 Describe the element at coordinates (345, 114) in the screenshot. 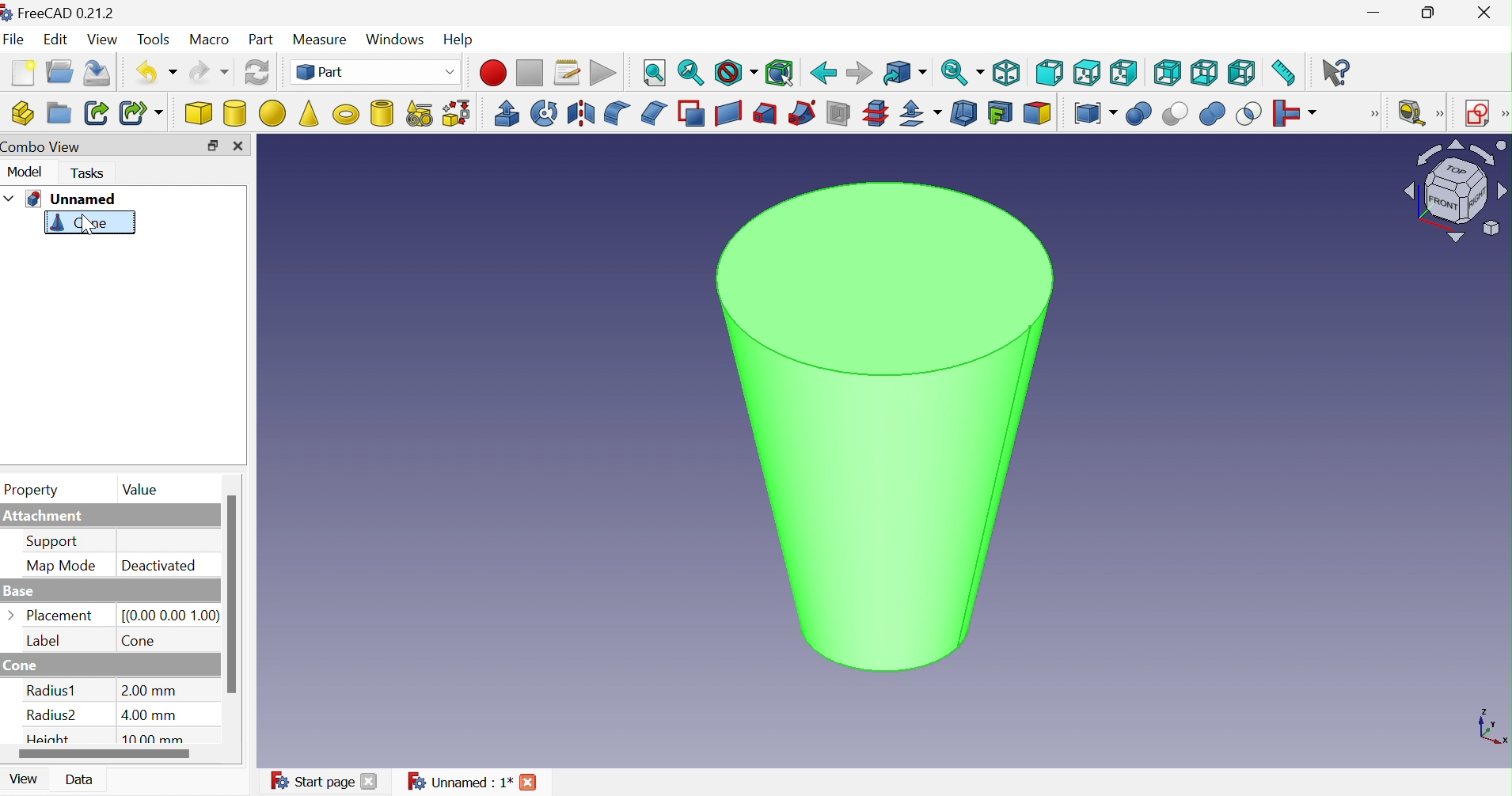

I see `Torus` at that location.